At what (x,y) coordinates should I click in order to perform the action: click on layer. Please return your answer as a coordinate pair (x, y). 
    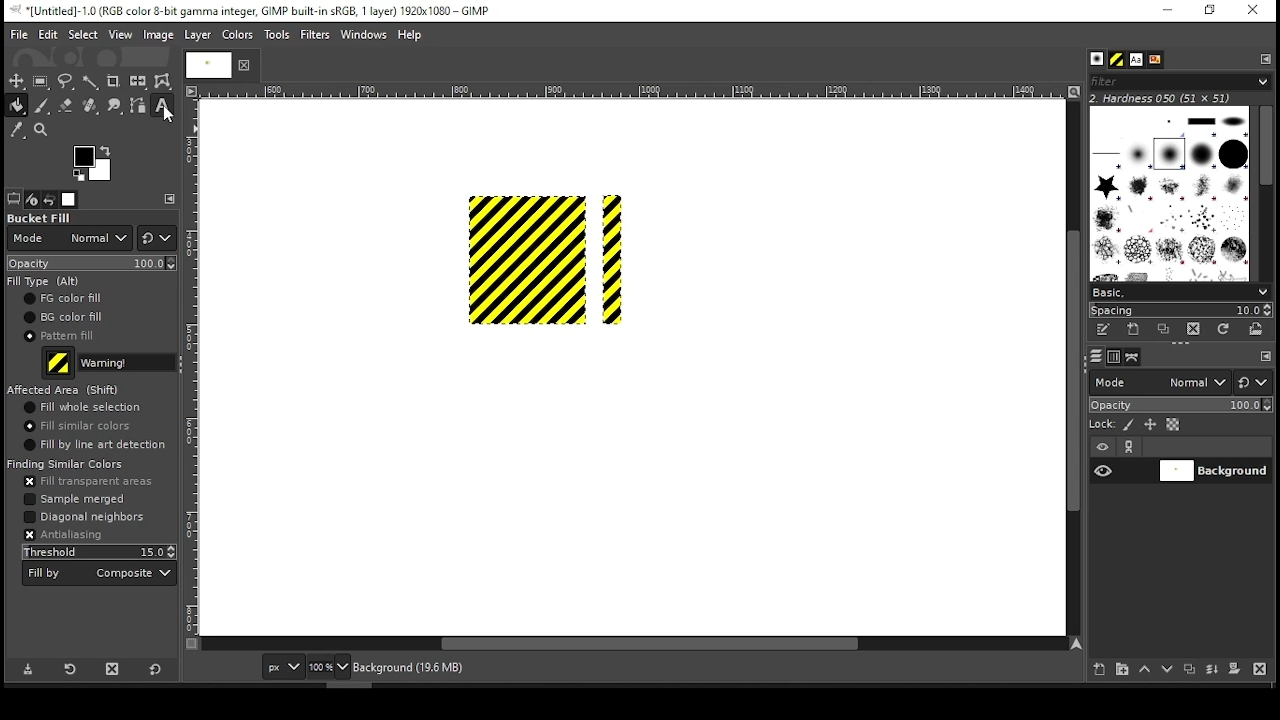
    Looking at the image, I should click on (196, 35).